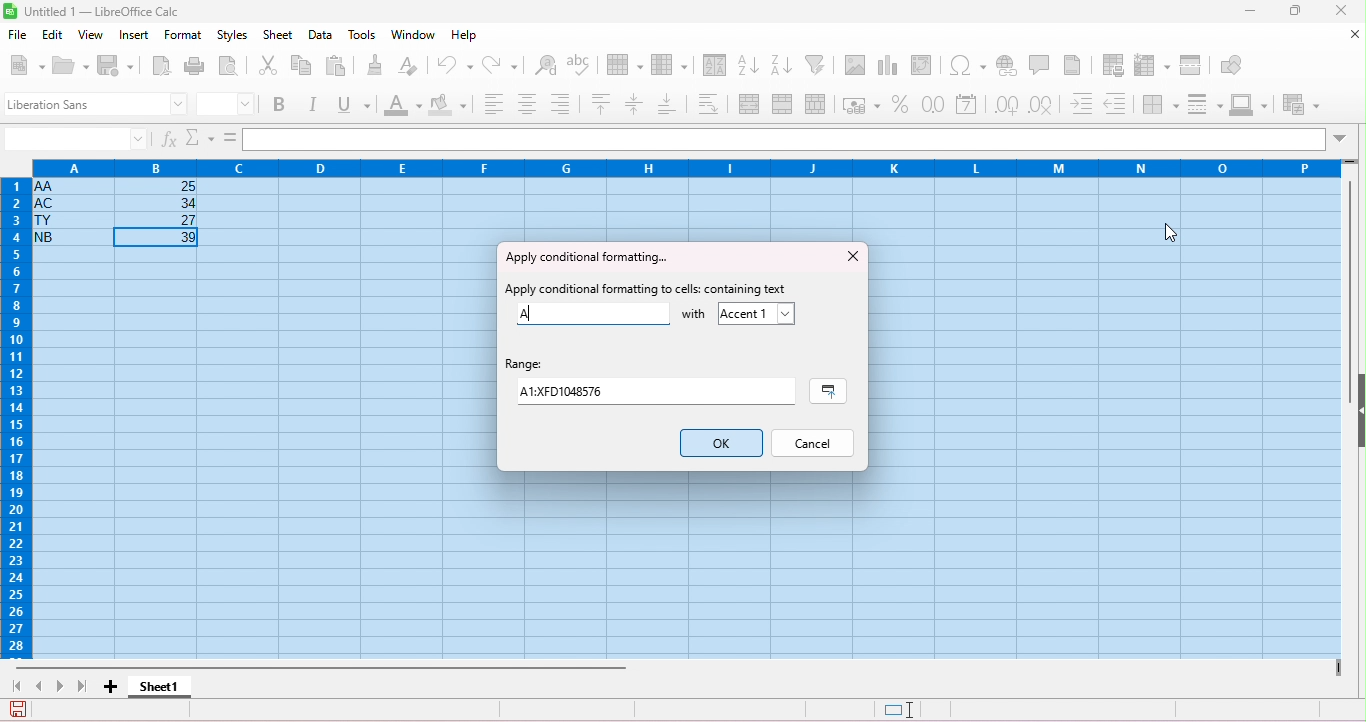 The height and width of the screenshot is (722, 1366). What do you see at coordinates (323, 667) in the screenshot?
I see `horizontal scroll bar` at bounding box center [323, 667].